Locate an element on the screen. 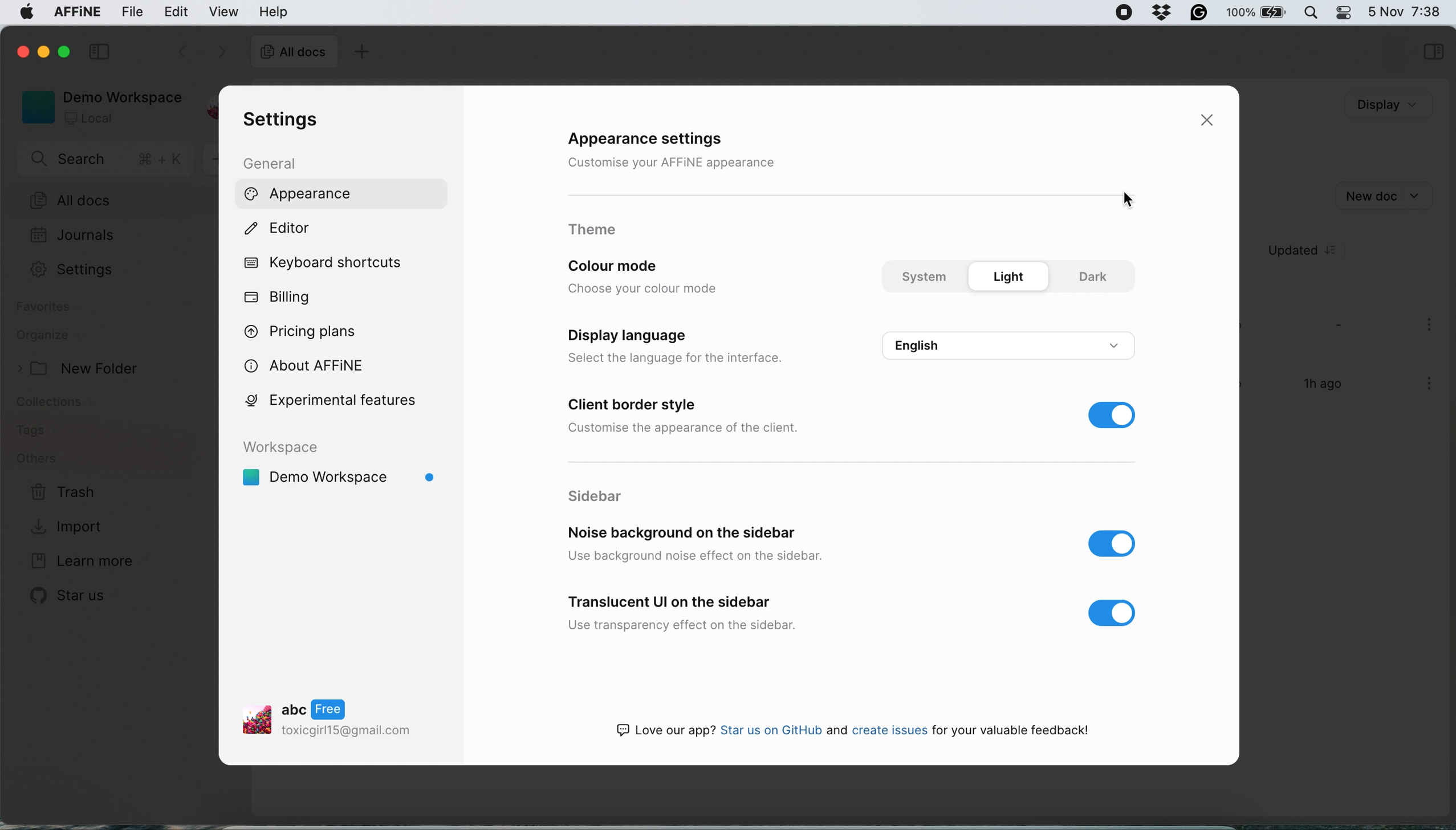 The height and width of the screenshot is (830, 1456). organize is located at coordinates (48, 335).